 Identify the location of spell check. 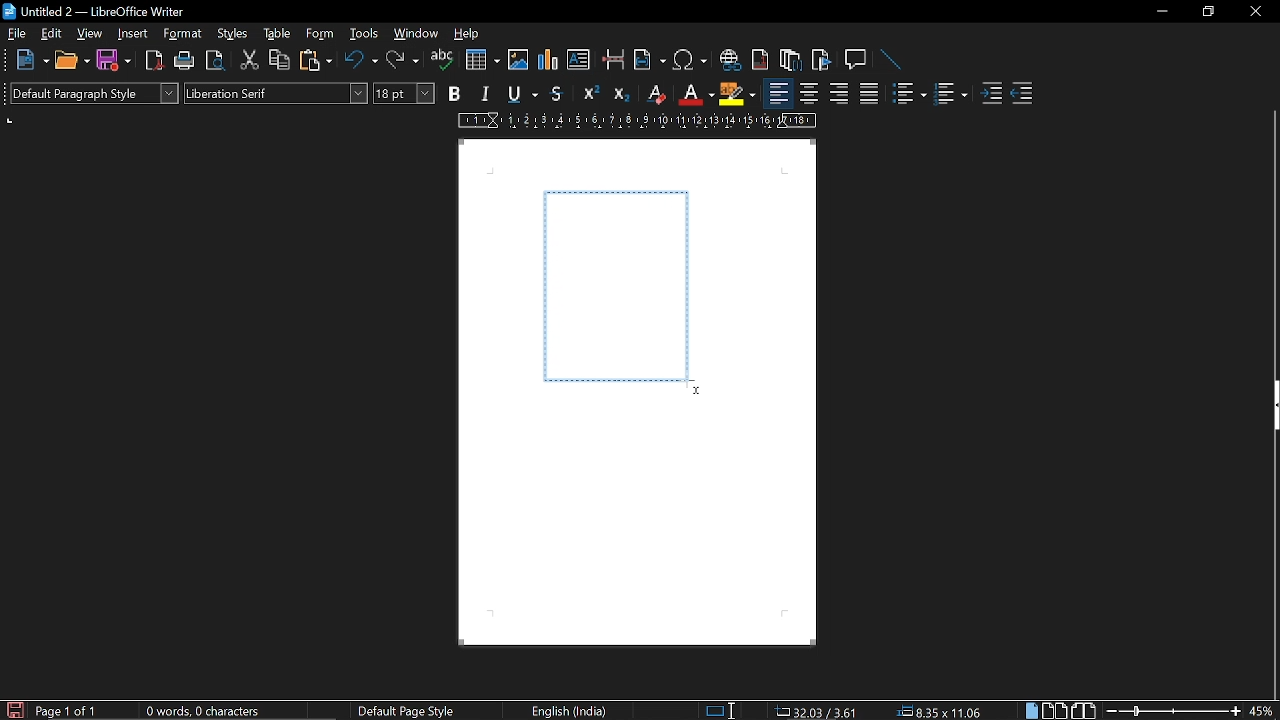
(441, 62).